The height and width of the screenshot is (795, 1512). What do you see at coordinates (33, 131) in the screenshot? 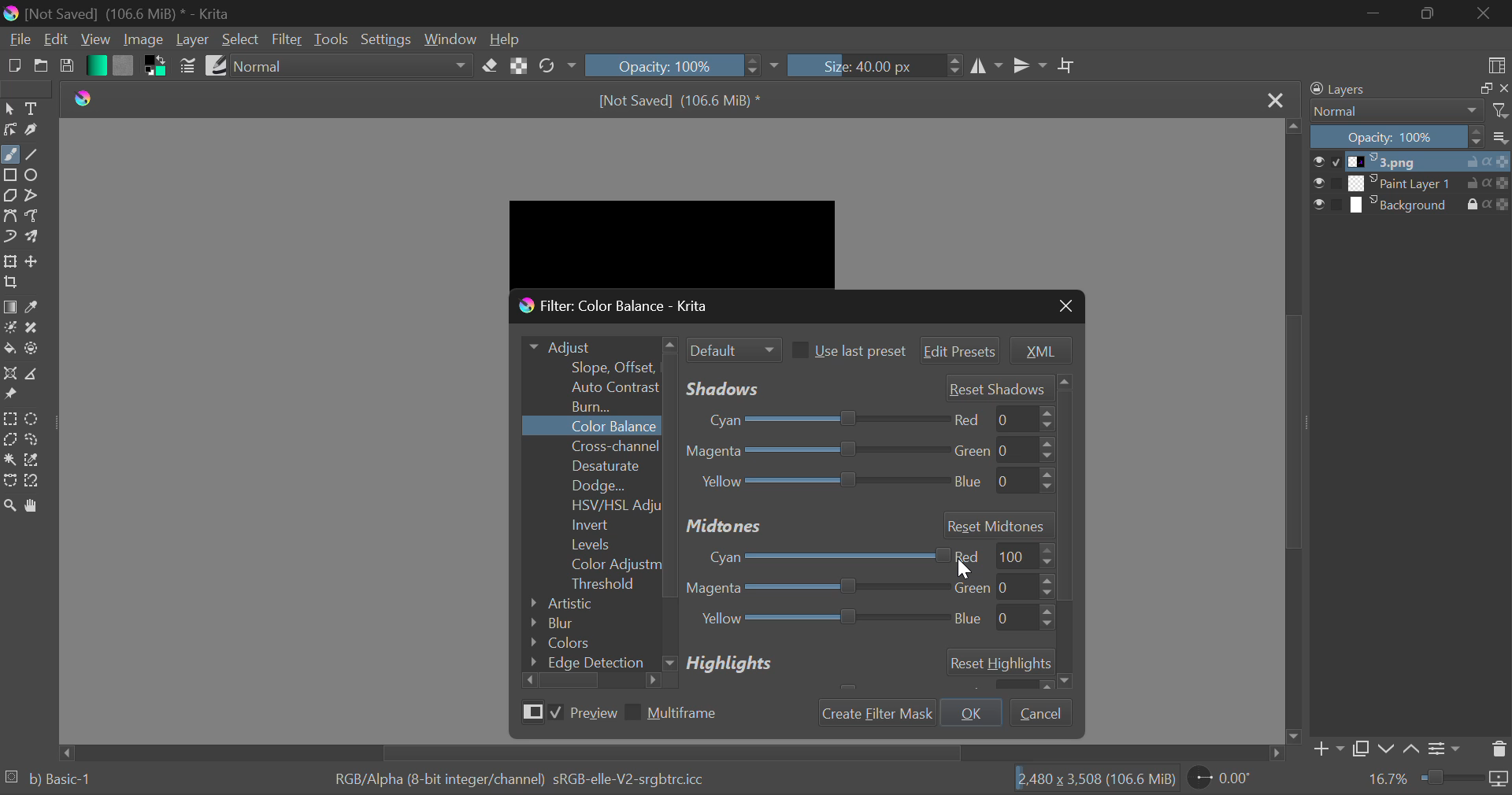
I see `Calligraphic Tool` at bounding box center [33, 131].